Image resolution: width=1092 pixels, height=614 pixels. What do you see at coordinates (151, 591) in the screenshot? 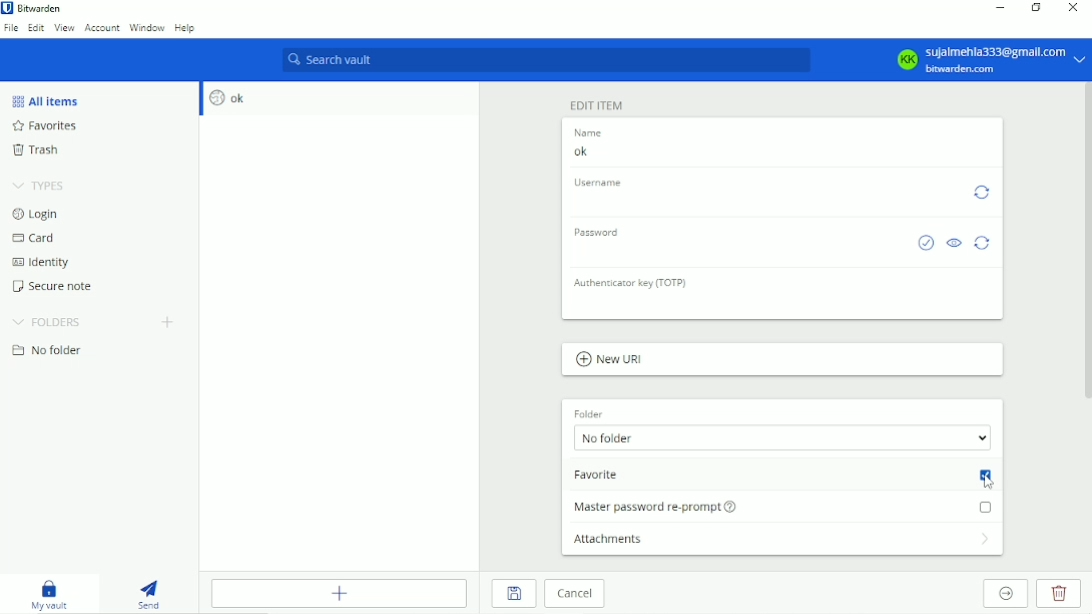
I see `Send` at bounding box center [151, 591].